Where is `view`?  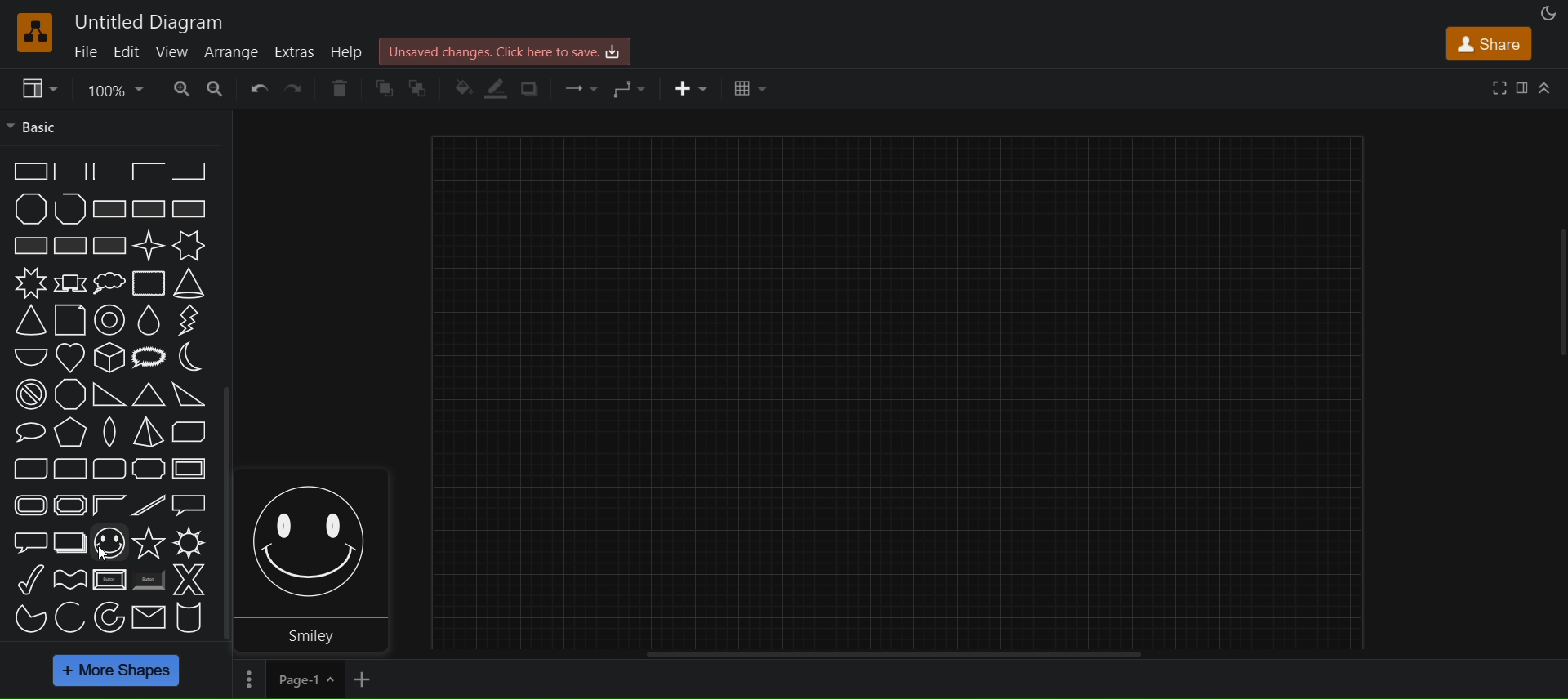 view is located at coordinates (171, 51).